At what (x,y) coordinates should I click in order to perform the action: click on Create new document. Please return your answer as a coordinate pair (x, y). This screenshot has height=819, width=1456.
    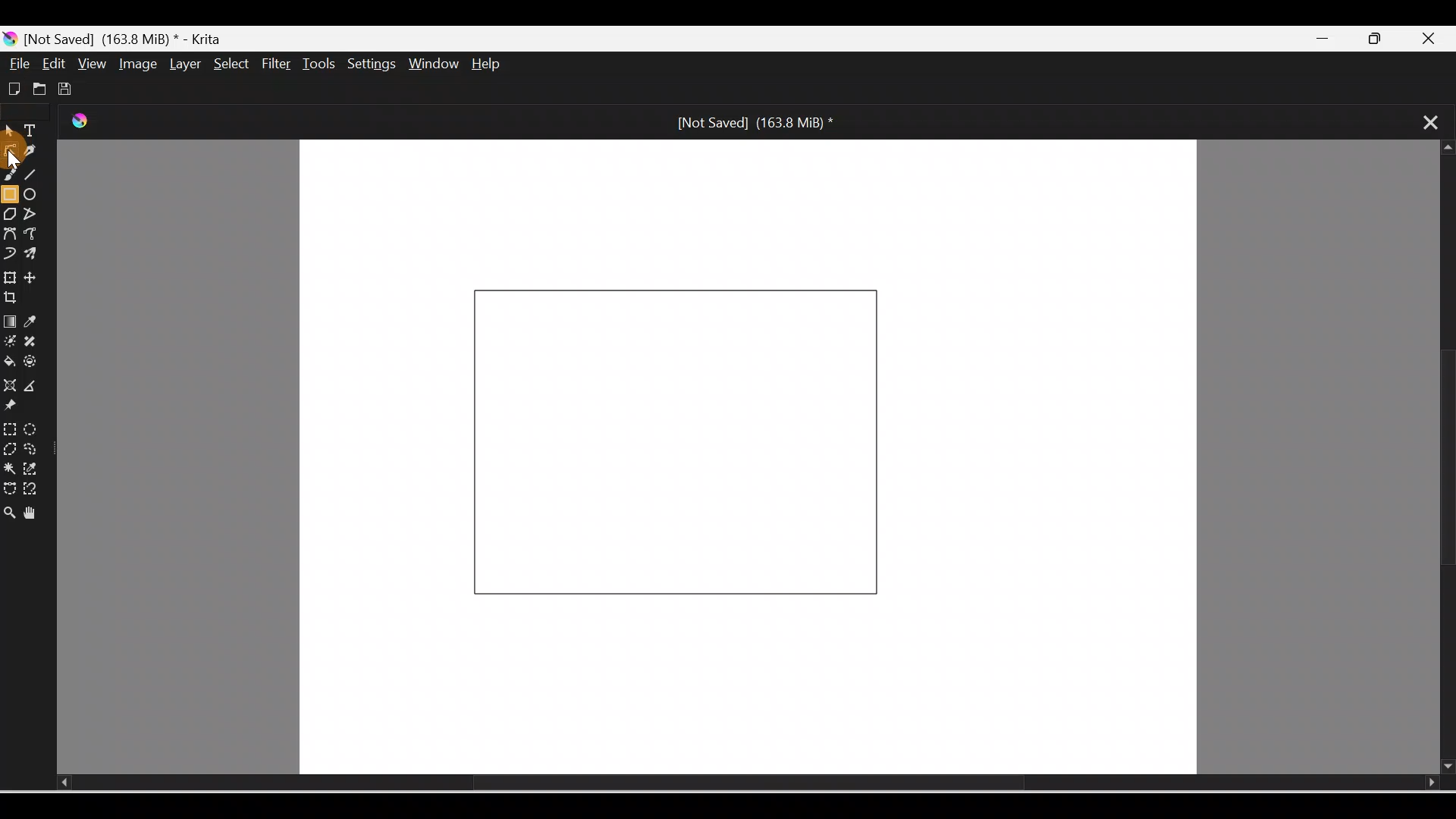
    Looking at the image, I should click on (12, 87).